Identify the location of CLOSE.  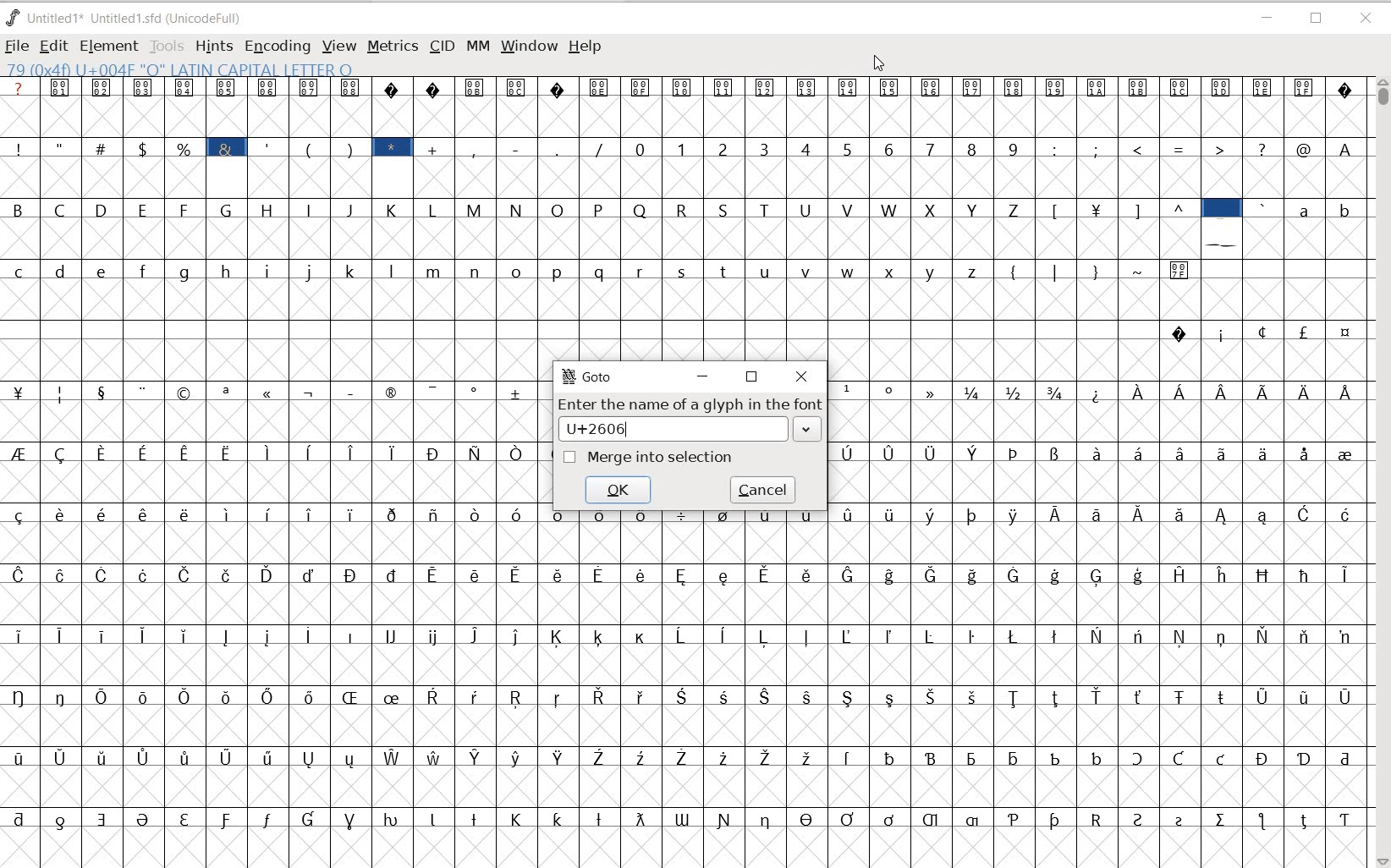
(1366, 19).